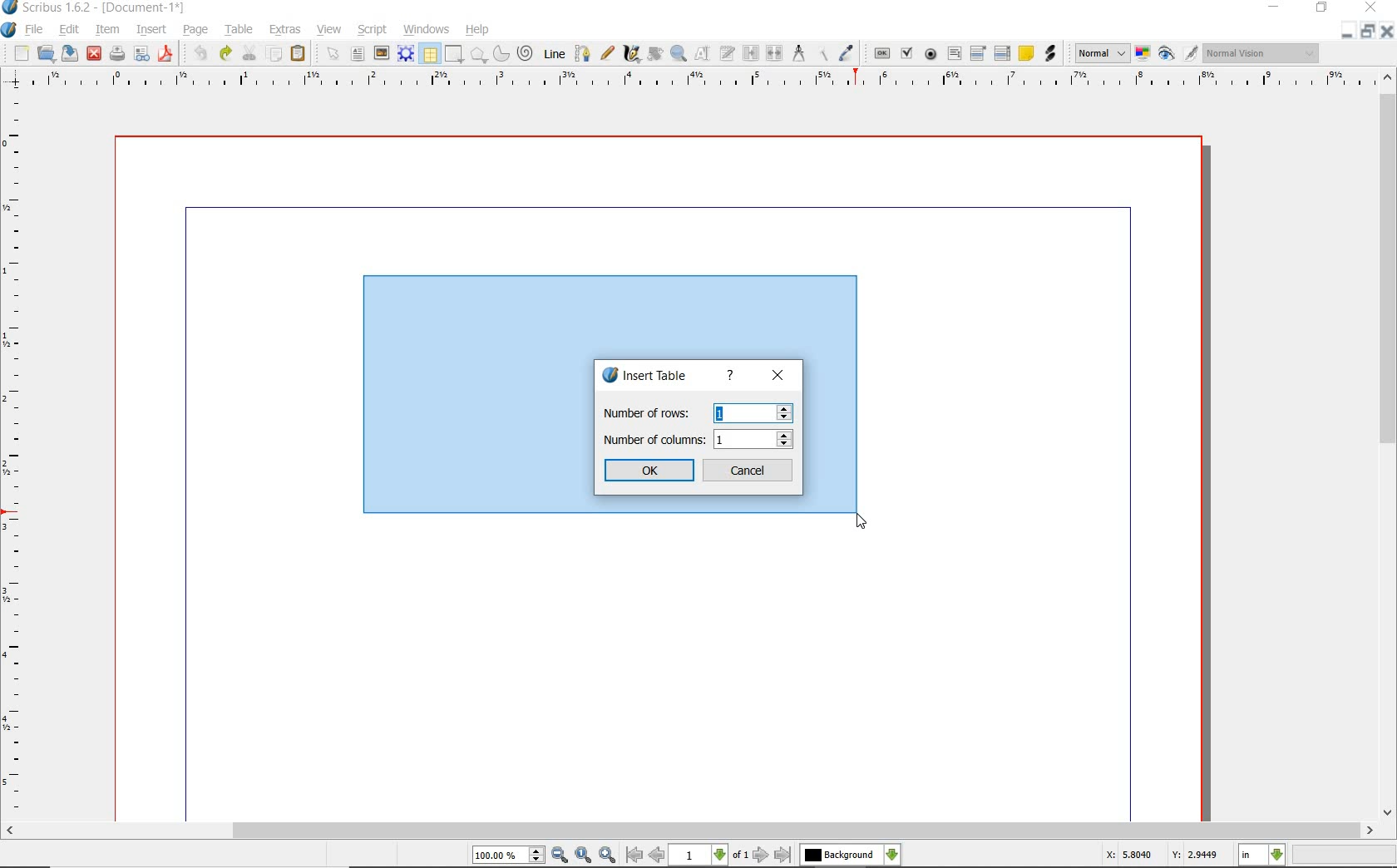 Image resolution: width=1397 pixels, height=868 pixels. Describe the element at coordinates (373, 30) in the screenshot. I see `script` at that location.